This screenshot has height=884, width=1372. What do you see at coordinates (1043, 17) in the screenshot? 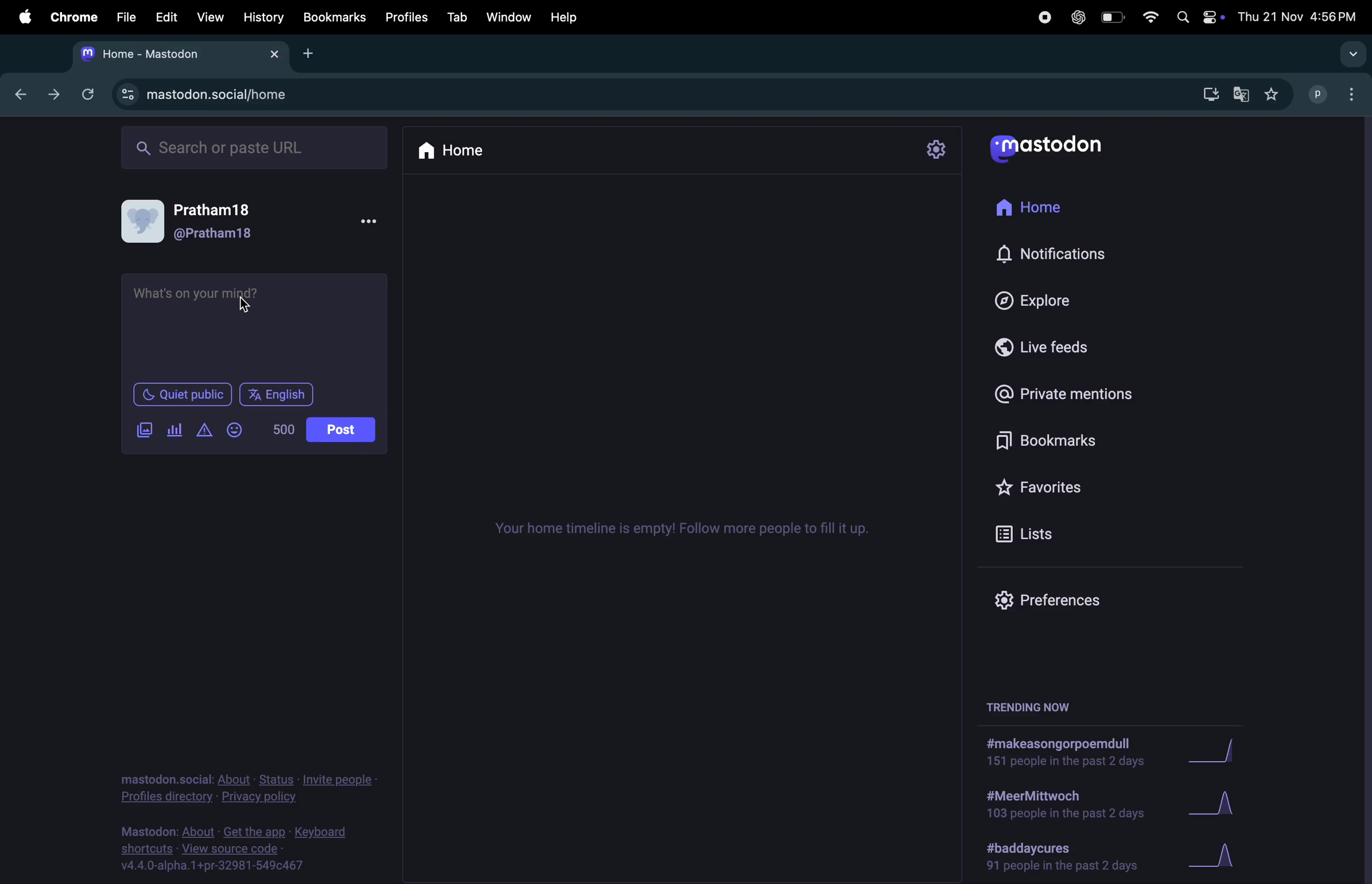
I see `record` at bounding box center [1043, 17].